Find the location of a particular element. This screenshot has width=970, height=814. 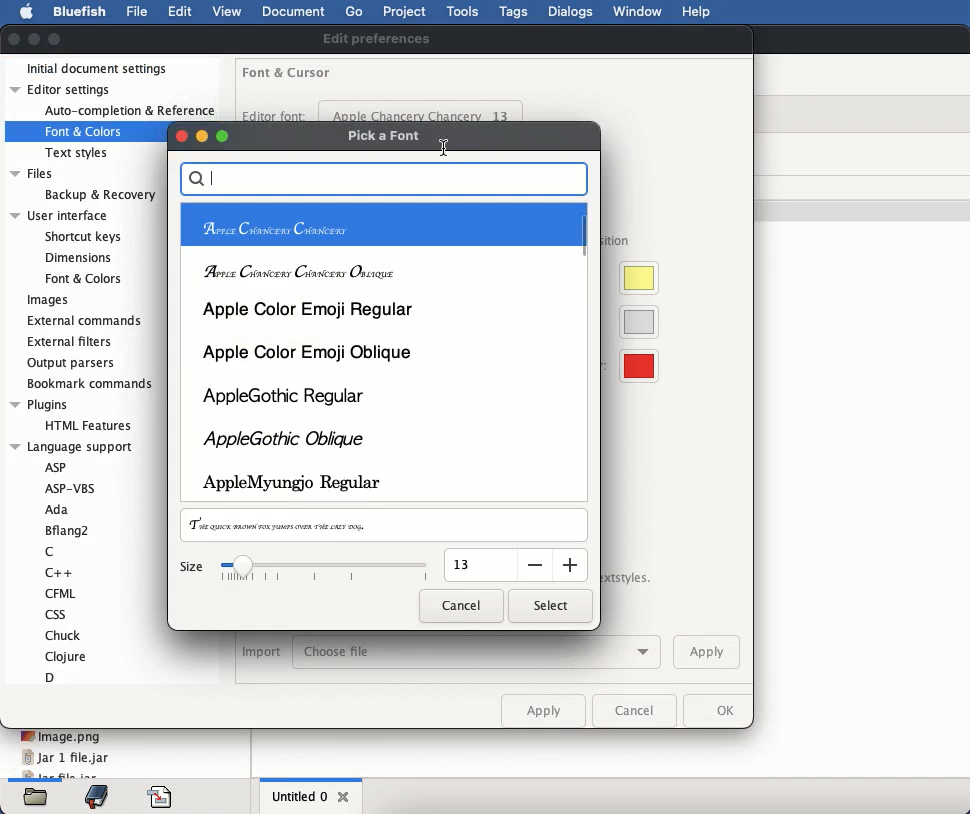

search is located at coordinates (383, 180).